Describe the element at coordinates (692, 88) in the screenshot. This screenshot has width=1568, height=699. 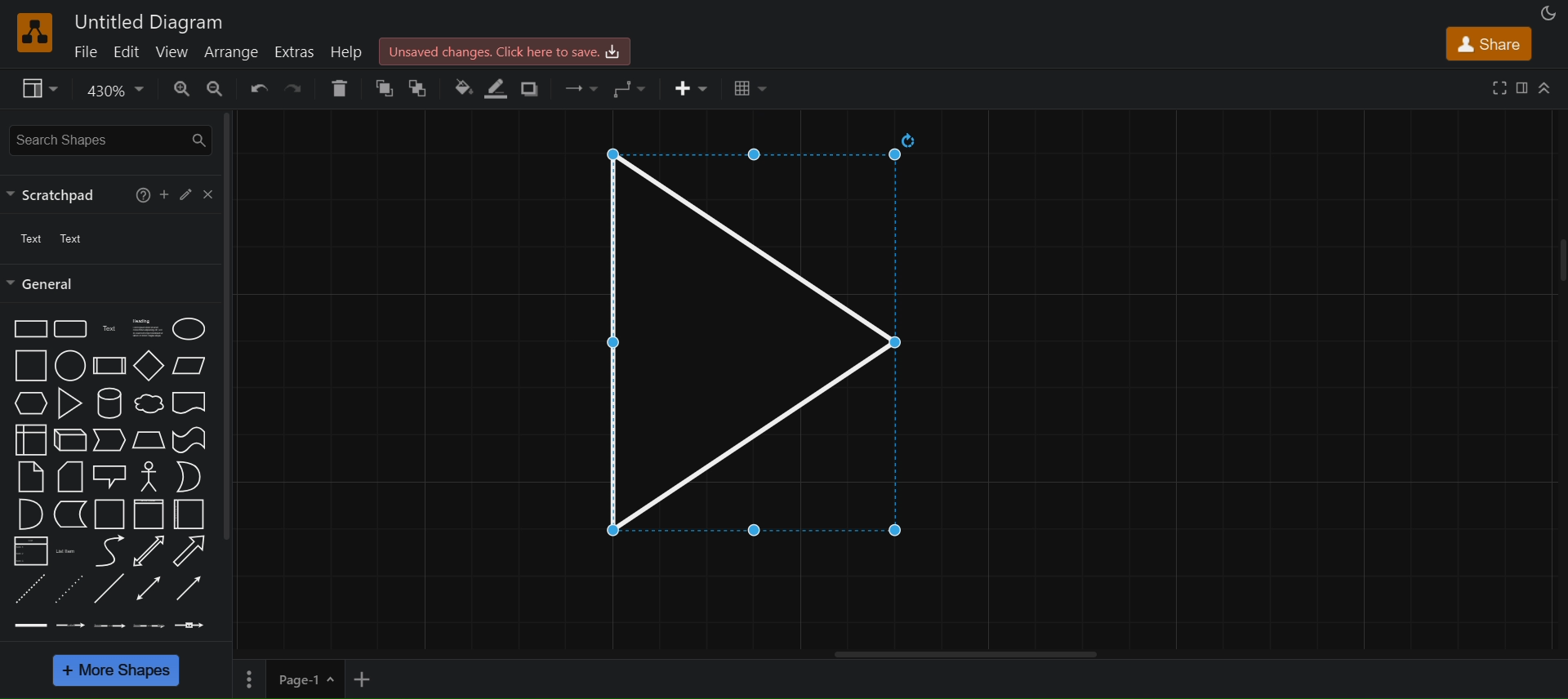
I see `insert` at that location.